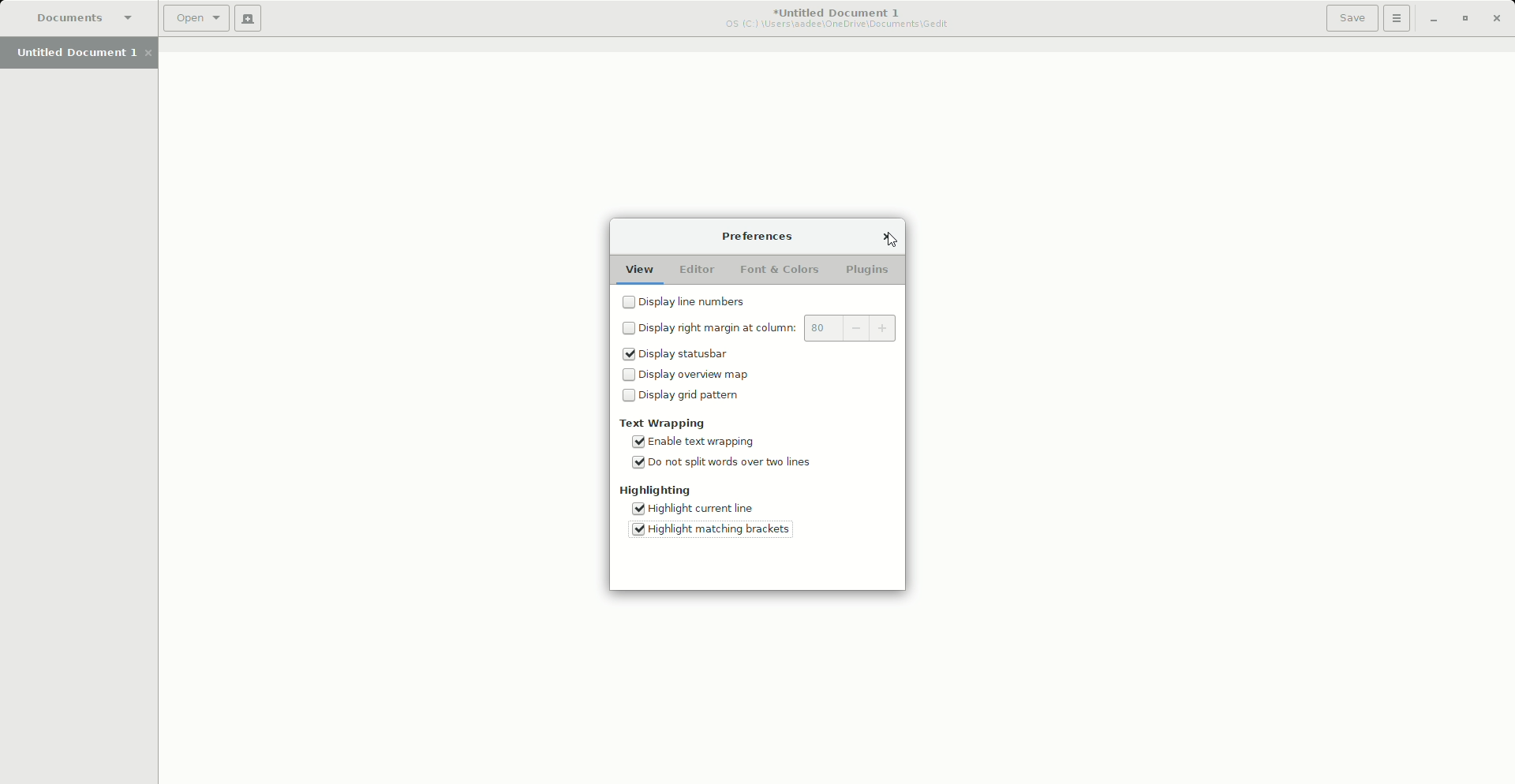 Image resolution: width=1515 pixels, height=784 pixels. What do you see at coordinates (892, 236) in the screenshot?
I see `Cursor` at bounding box center [892, 236].